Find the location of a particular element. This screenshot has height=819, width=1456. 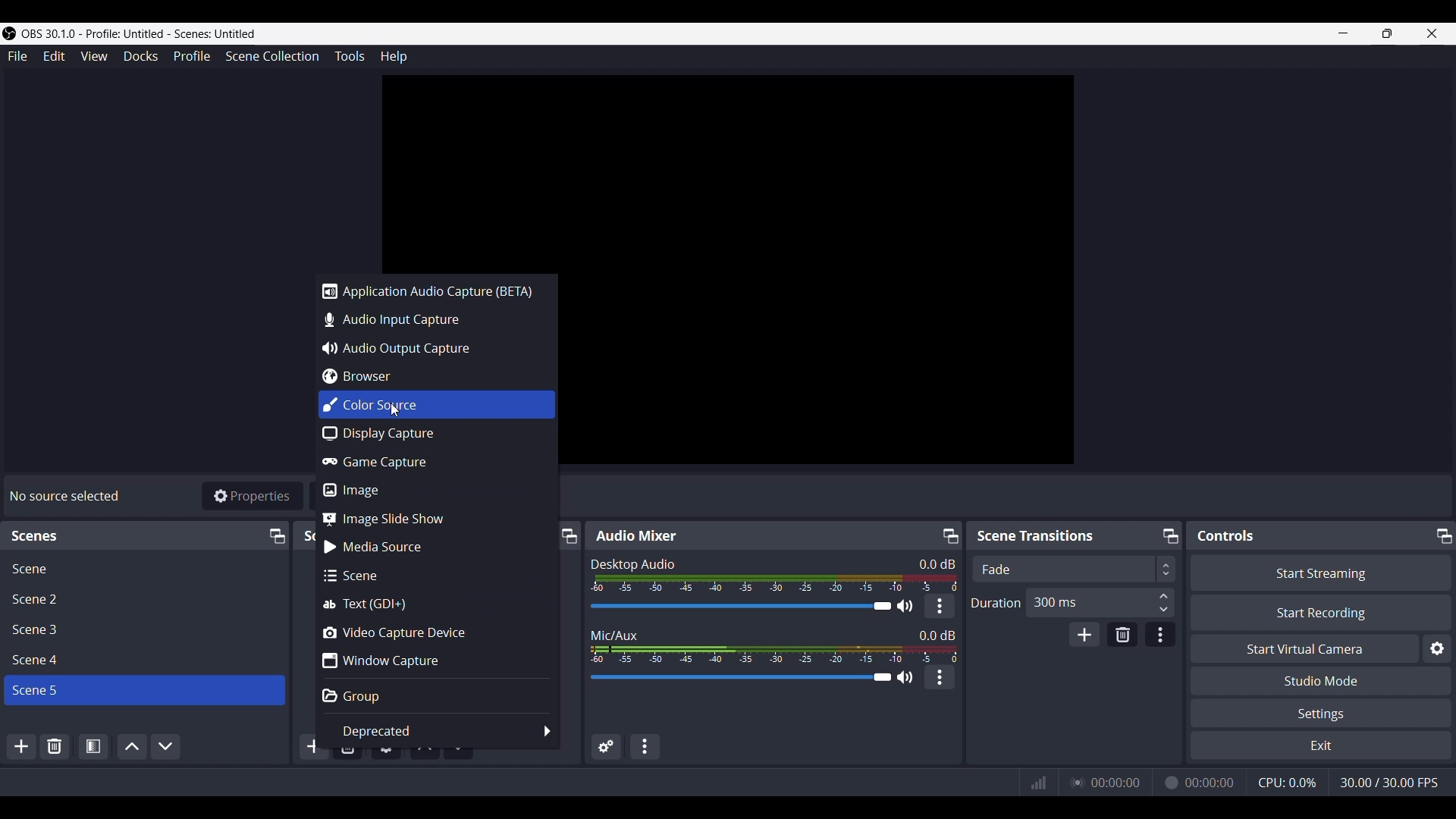

Volume Adjuster is located at coordinates (750, 677).